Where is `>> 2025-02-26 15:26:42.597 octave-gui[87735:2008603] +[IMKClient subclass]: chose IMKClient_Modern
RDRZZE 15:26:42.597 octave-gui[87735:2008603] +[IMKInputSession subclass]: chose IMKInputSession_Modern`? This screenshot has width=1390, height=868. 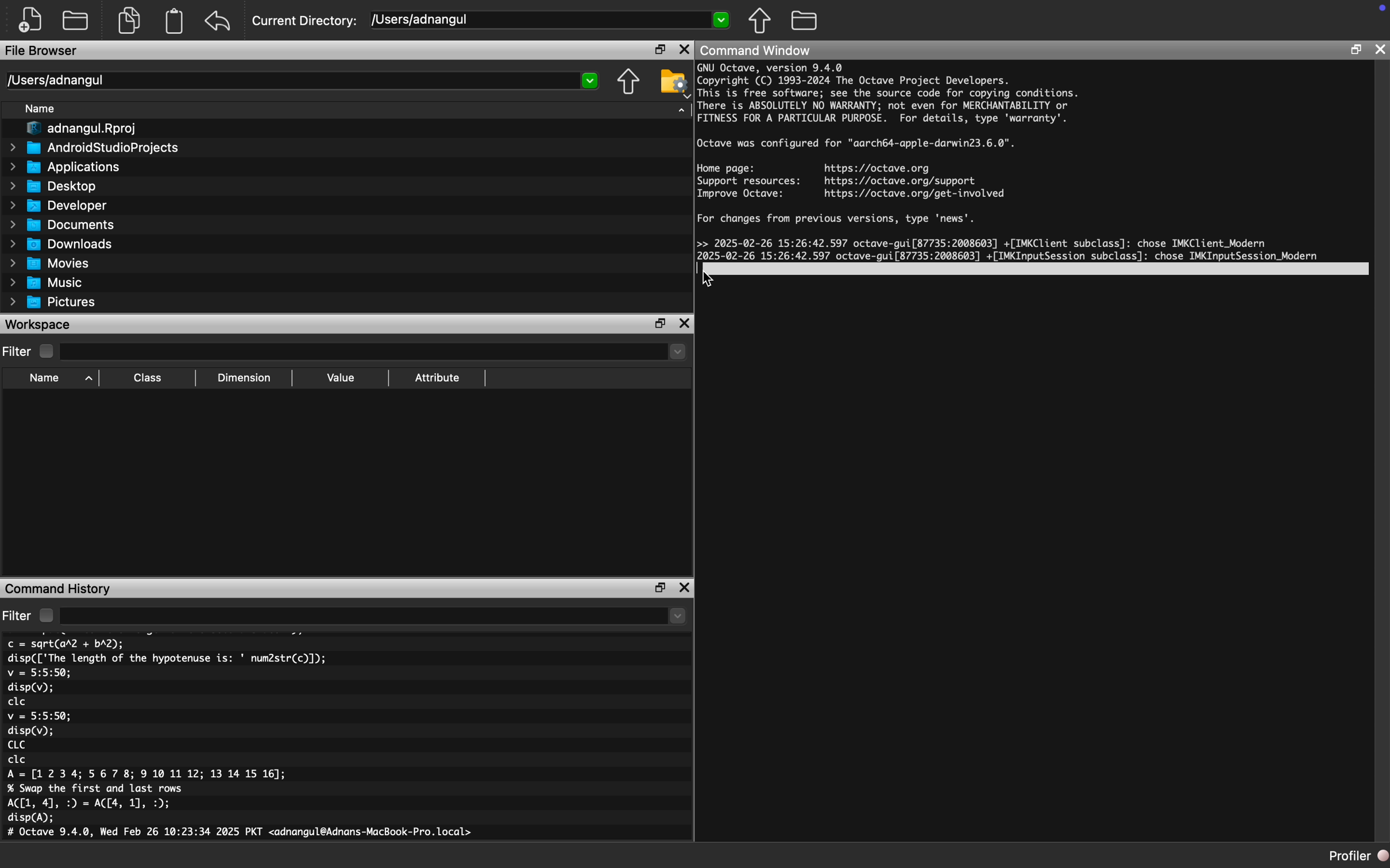
>> 2025-02-26 15:26:42.597 octave-gui[87735:2008603] +[IMKClient subclass]: chose IMKClient_Modern
RDRZZE 15:26:42.597 octave-gui[87735:2008603] +[IMKInputSession subclass]: chose IMKInputSession_Modern is located at coordinates (1010, 253).